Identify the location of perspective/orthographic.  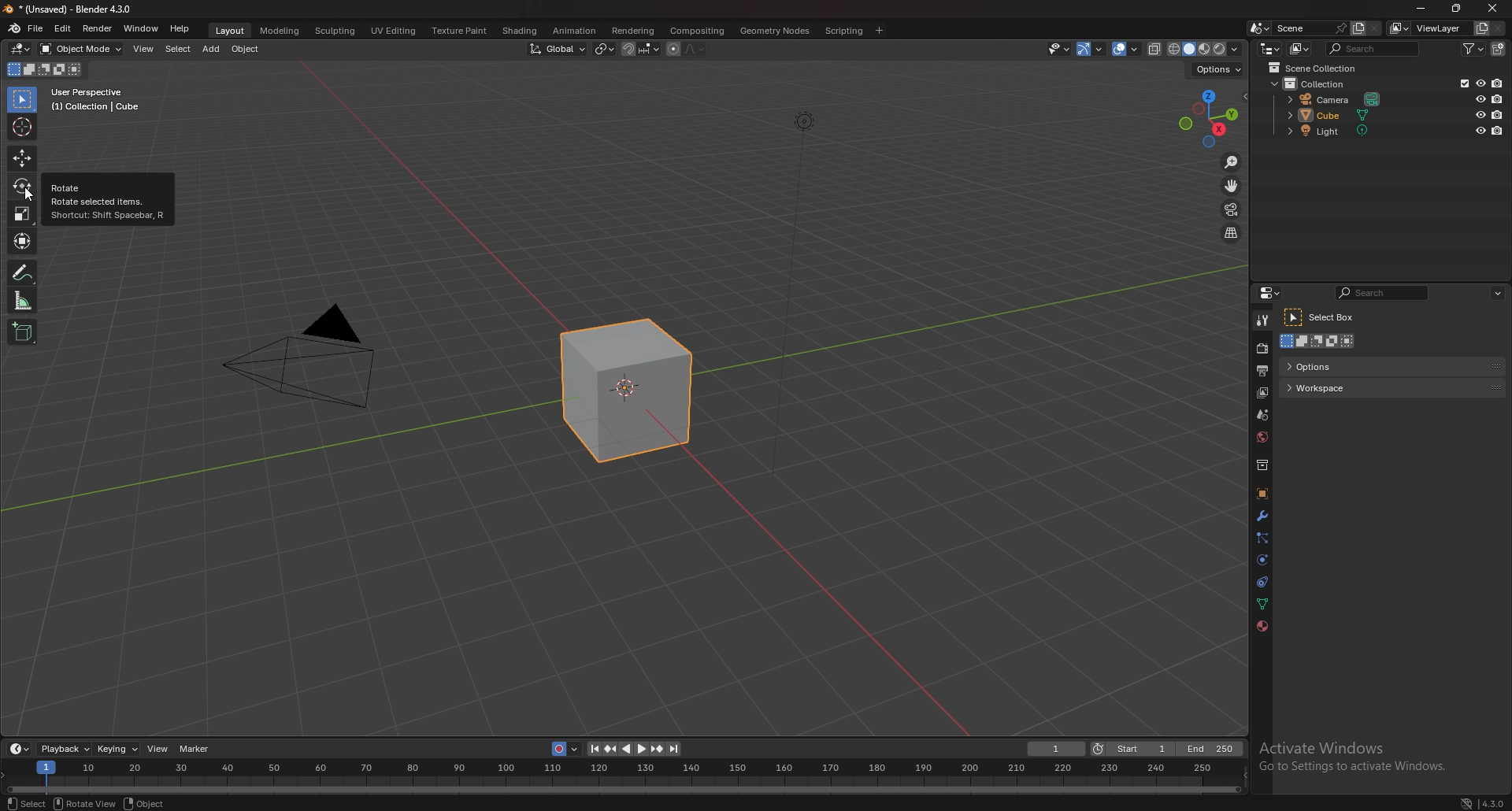
(1231, 232).